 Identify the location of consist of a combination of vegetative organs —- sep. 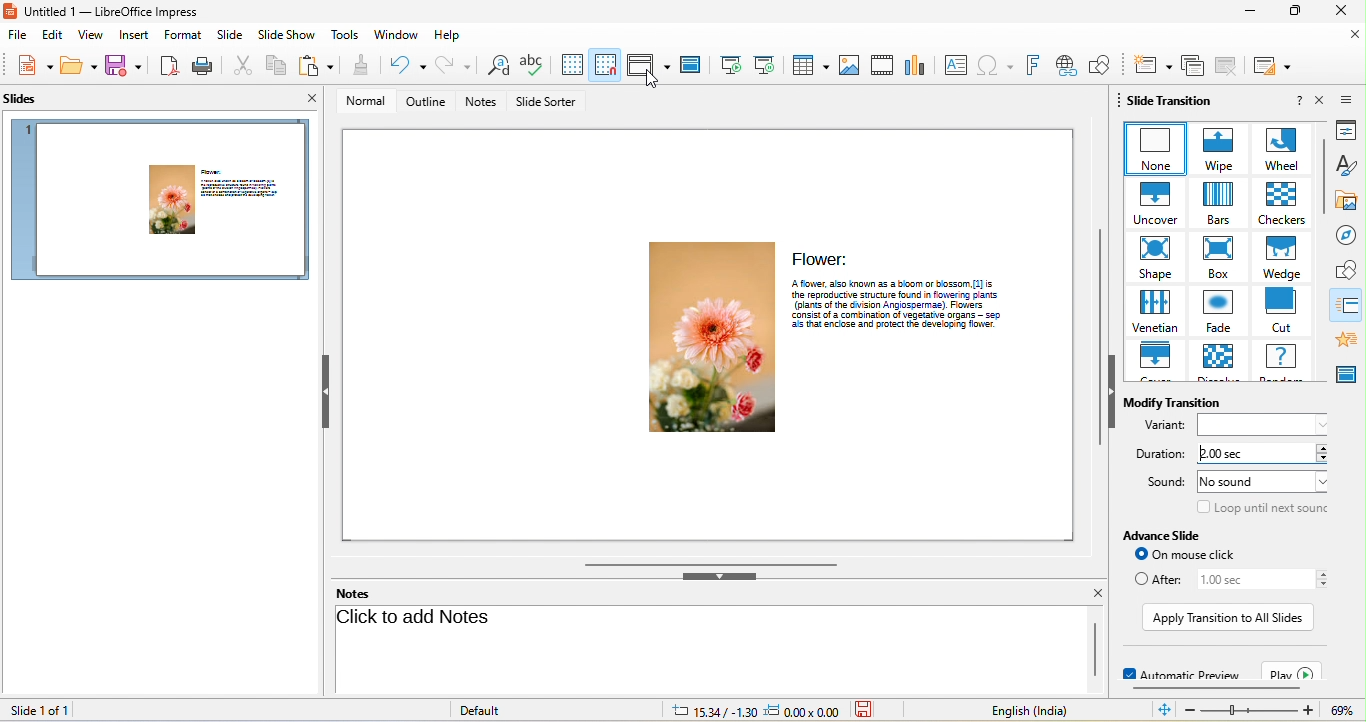
(906, 315).